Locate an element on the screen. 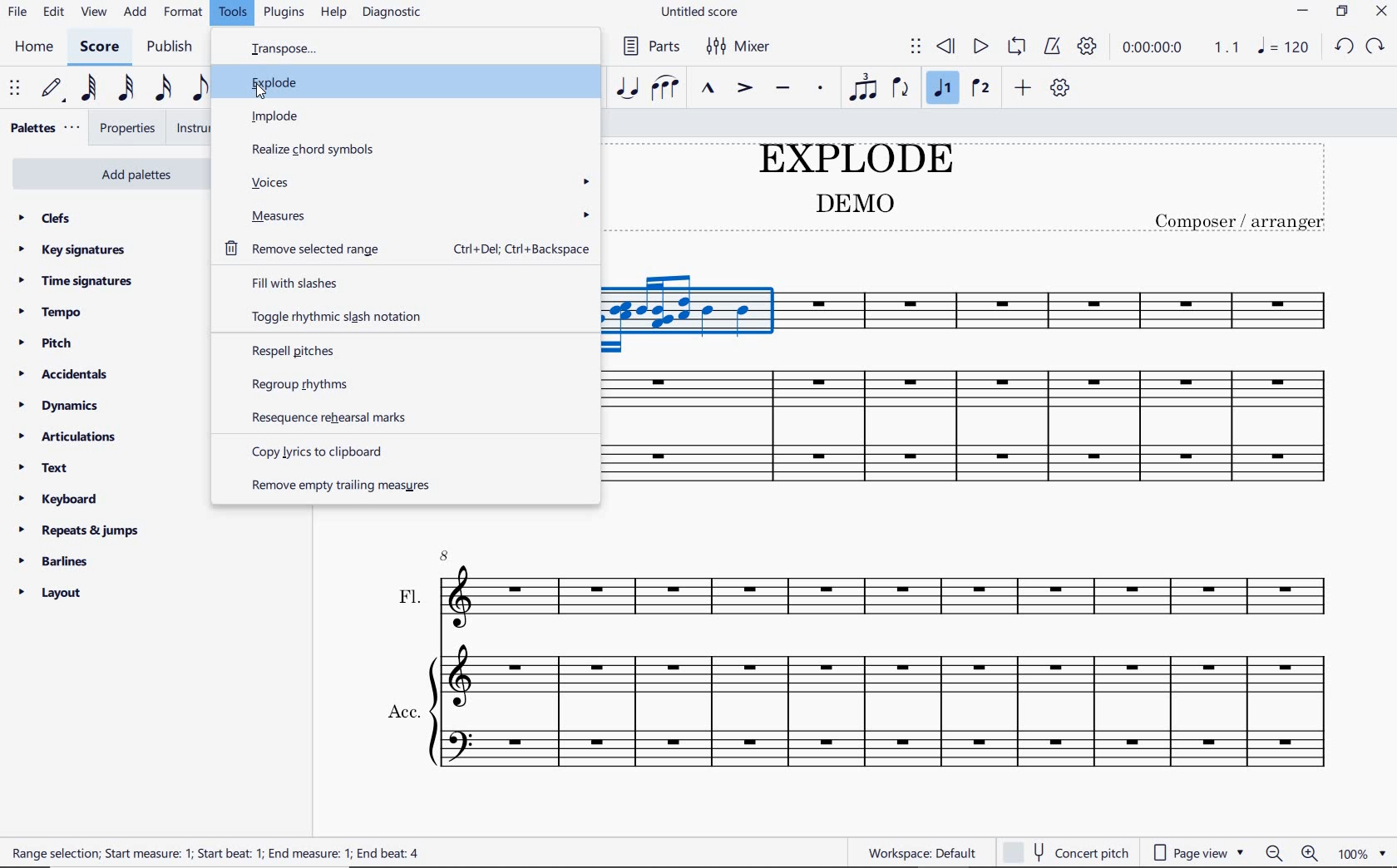  instruments is located at coordinates (190, 129).